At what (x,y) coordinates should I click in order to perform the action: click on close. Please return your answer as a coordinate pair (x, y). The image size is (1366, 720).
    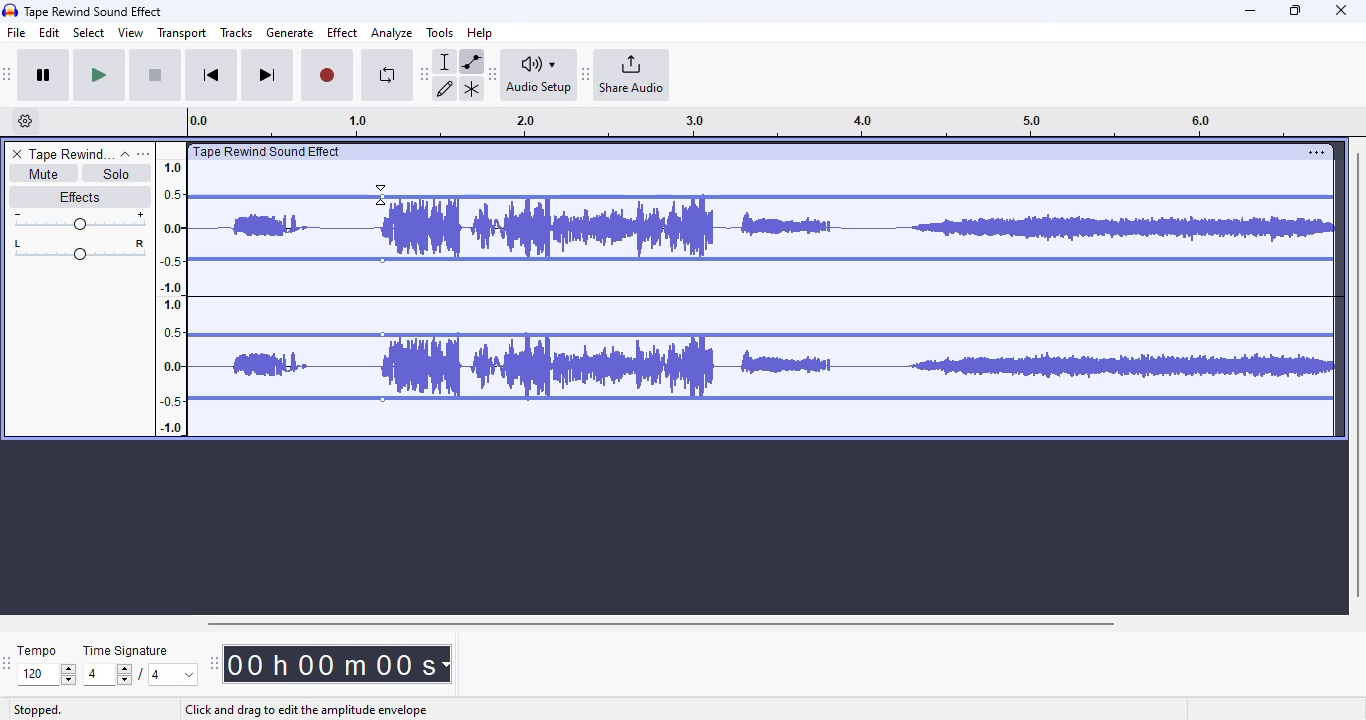
    Looking at the image, I should click on (1341, 10).